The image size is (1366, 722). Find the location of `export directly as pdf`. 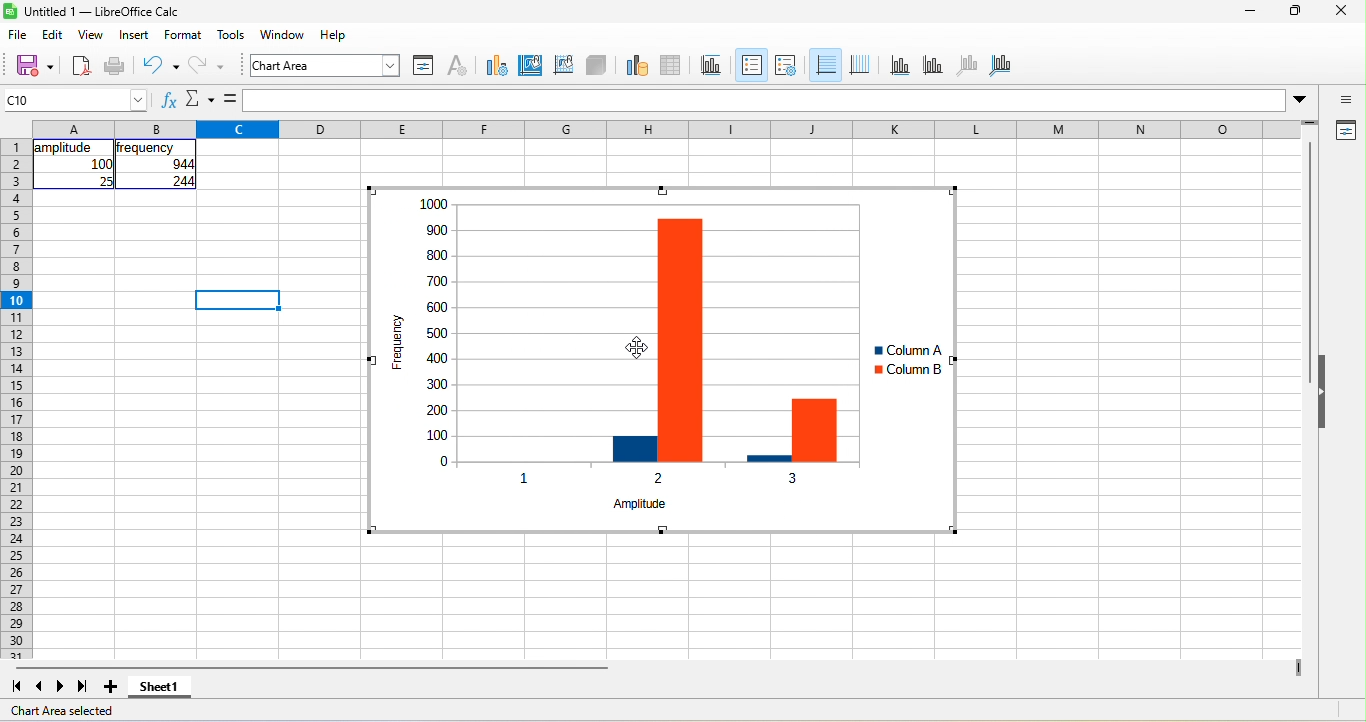

export directly as pdf is located at coordinates (81, 67).